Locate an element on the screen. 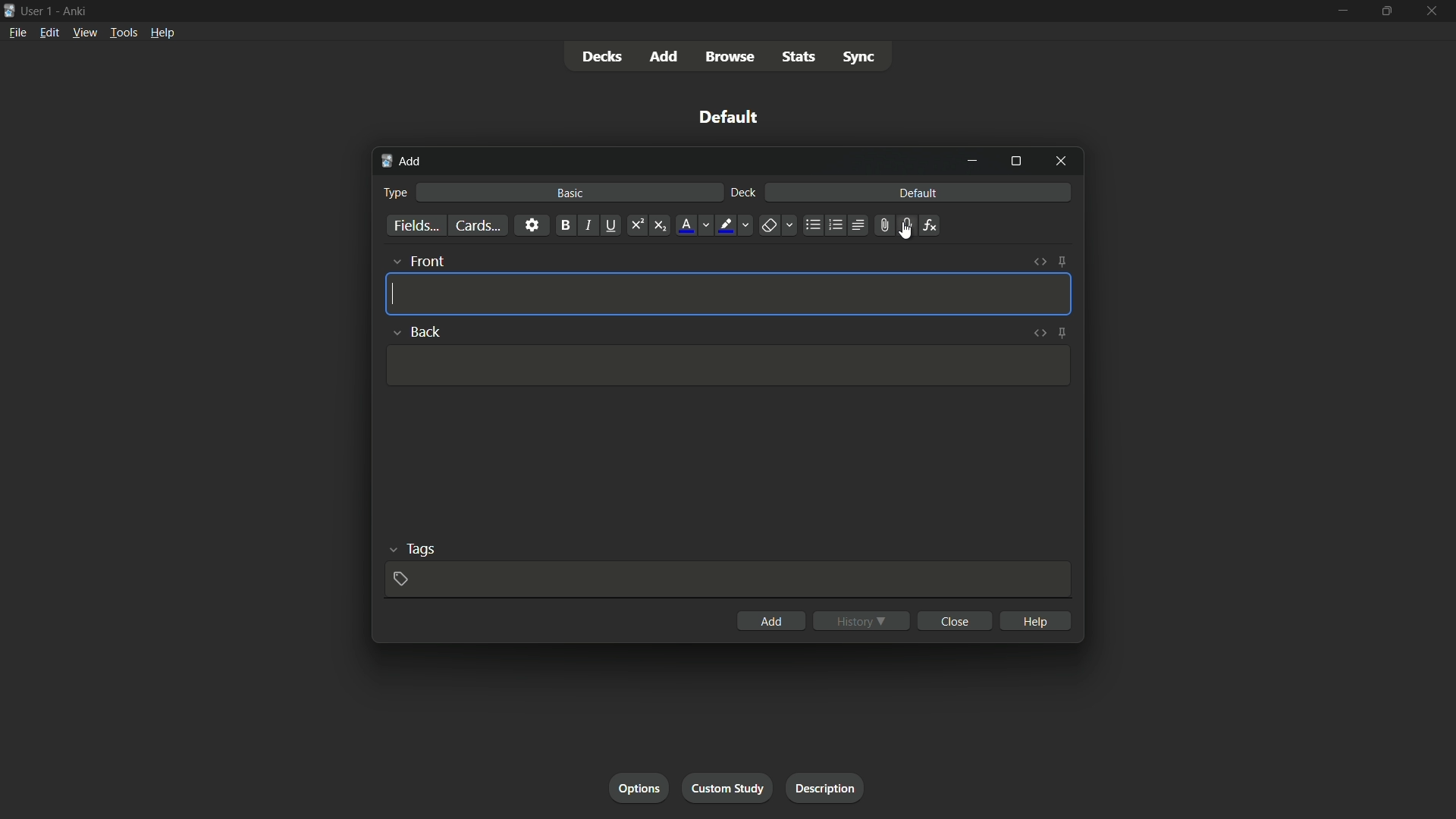  decks is located at coordinates (602, 57).